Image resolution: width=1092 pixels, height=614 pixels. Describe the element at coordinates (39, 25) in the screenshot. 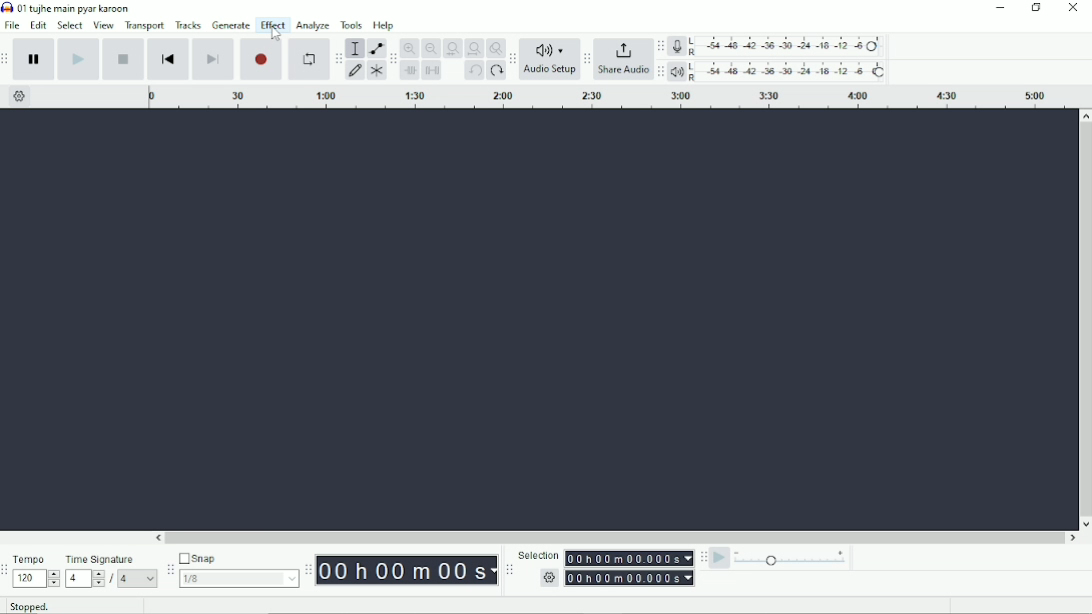

I see `Edit` at that location.